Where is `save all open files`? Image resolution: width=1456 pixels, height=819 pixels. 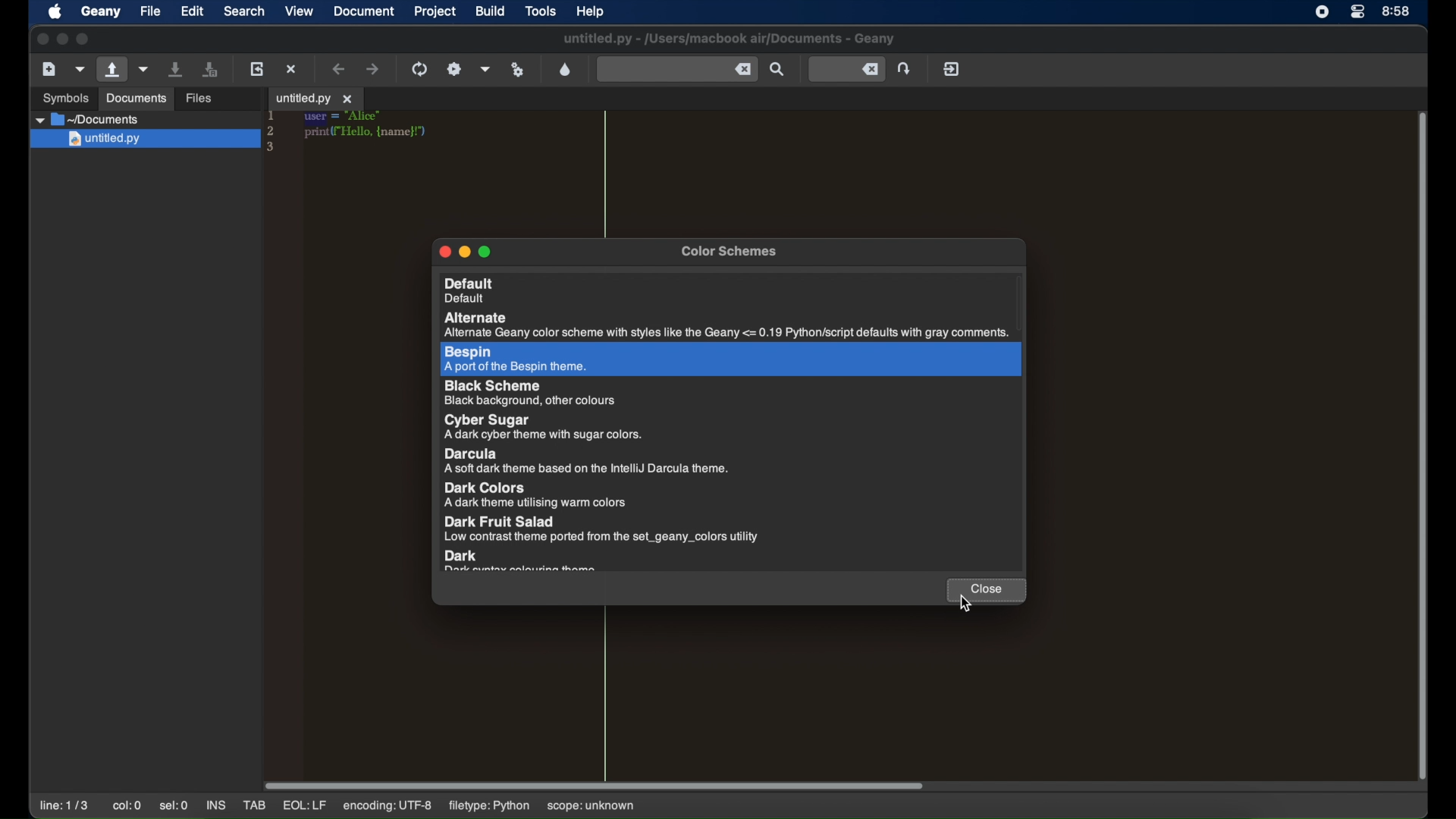
save all open files is located at coordinates (212, 70).